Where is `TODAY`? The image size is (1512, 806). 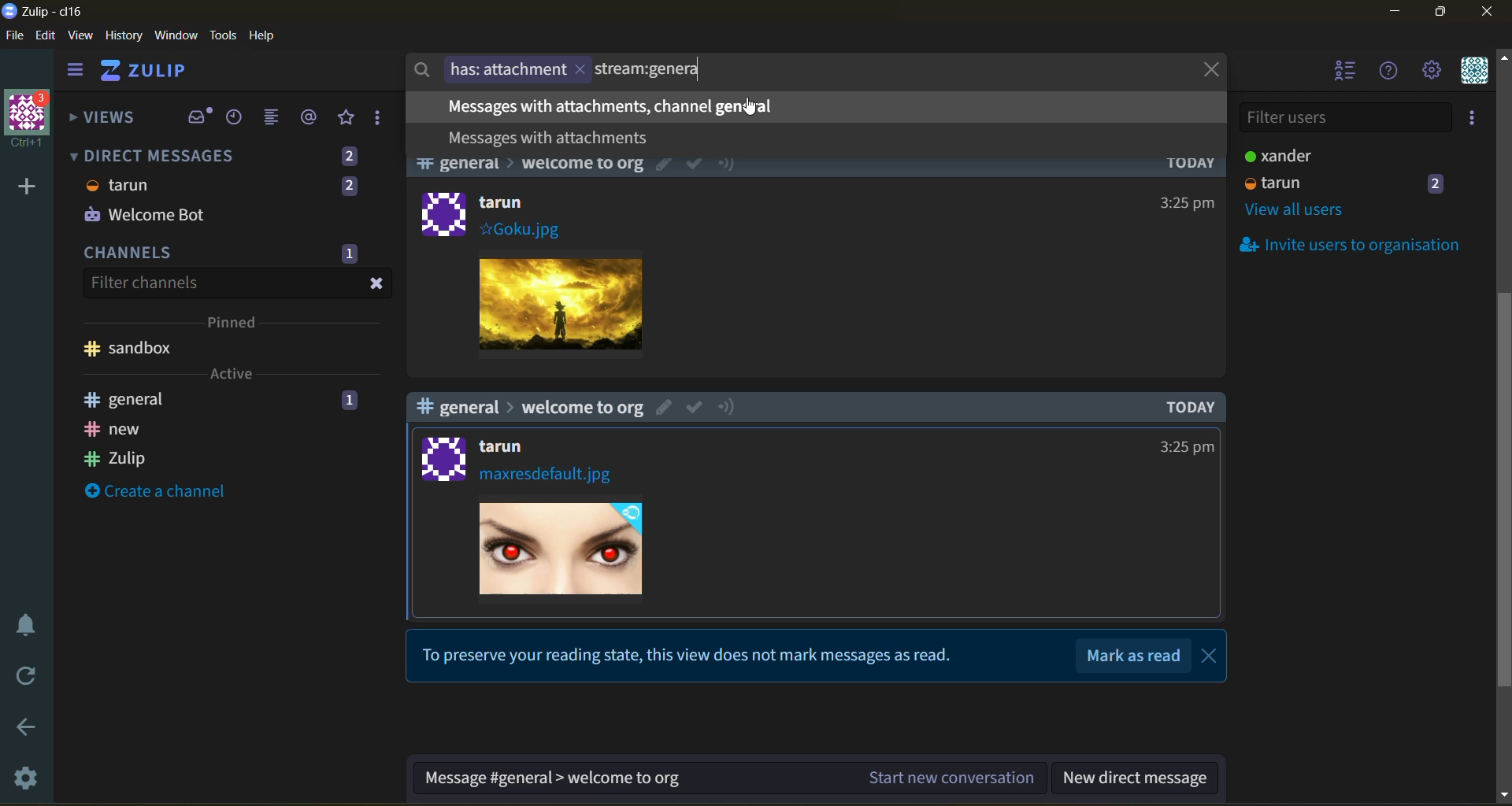
TODAY is located at coordinates (1194, 405).